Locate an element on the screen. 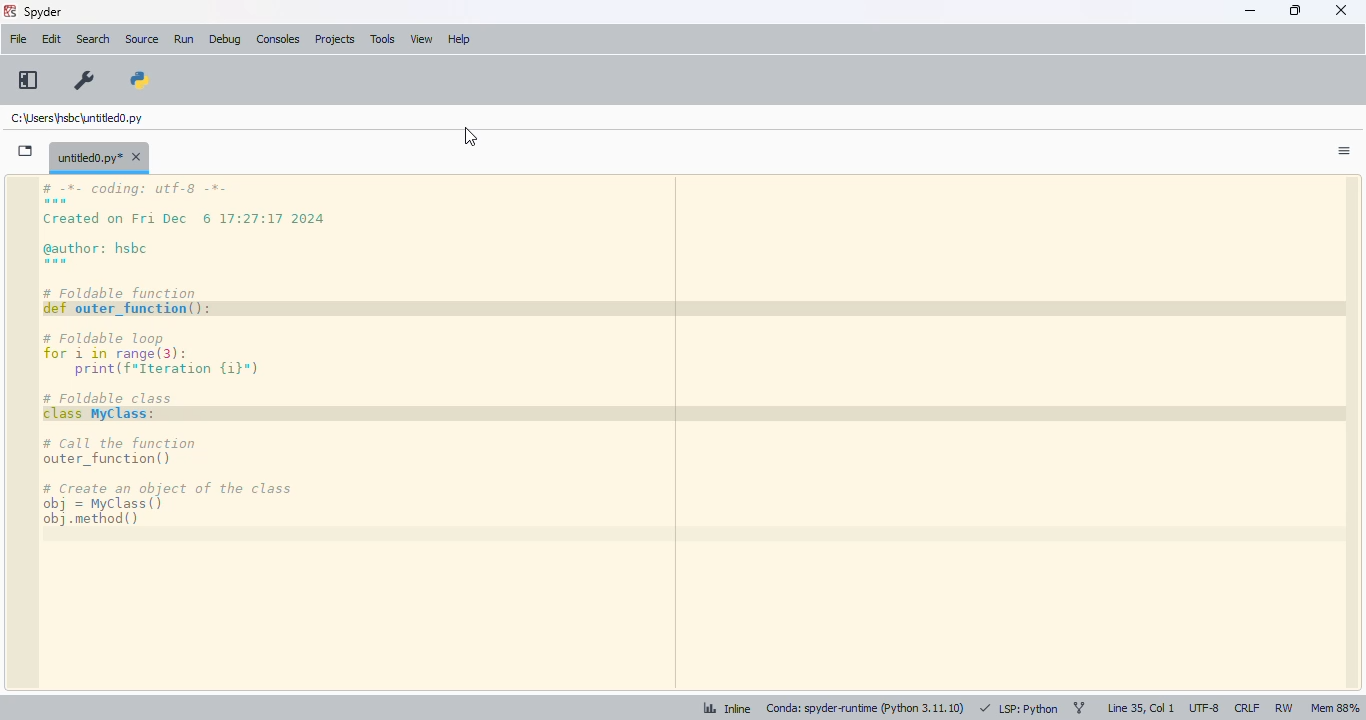  CRLF  is located at coordinates (1247, 708).